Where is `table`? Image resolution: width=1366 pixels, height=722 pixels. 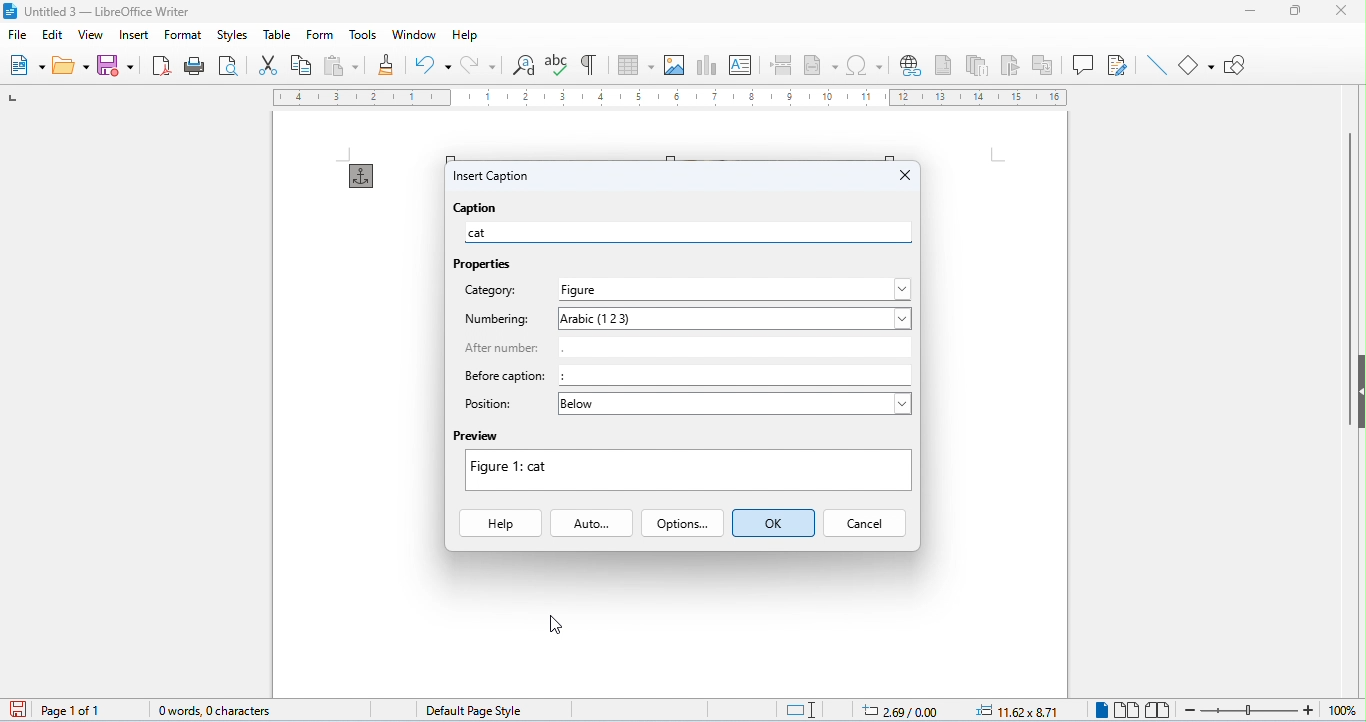 table is located at coordinates (275, 34).